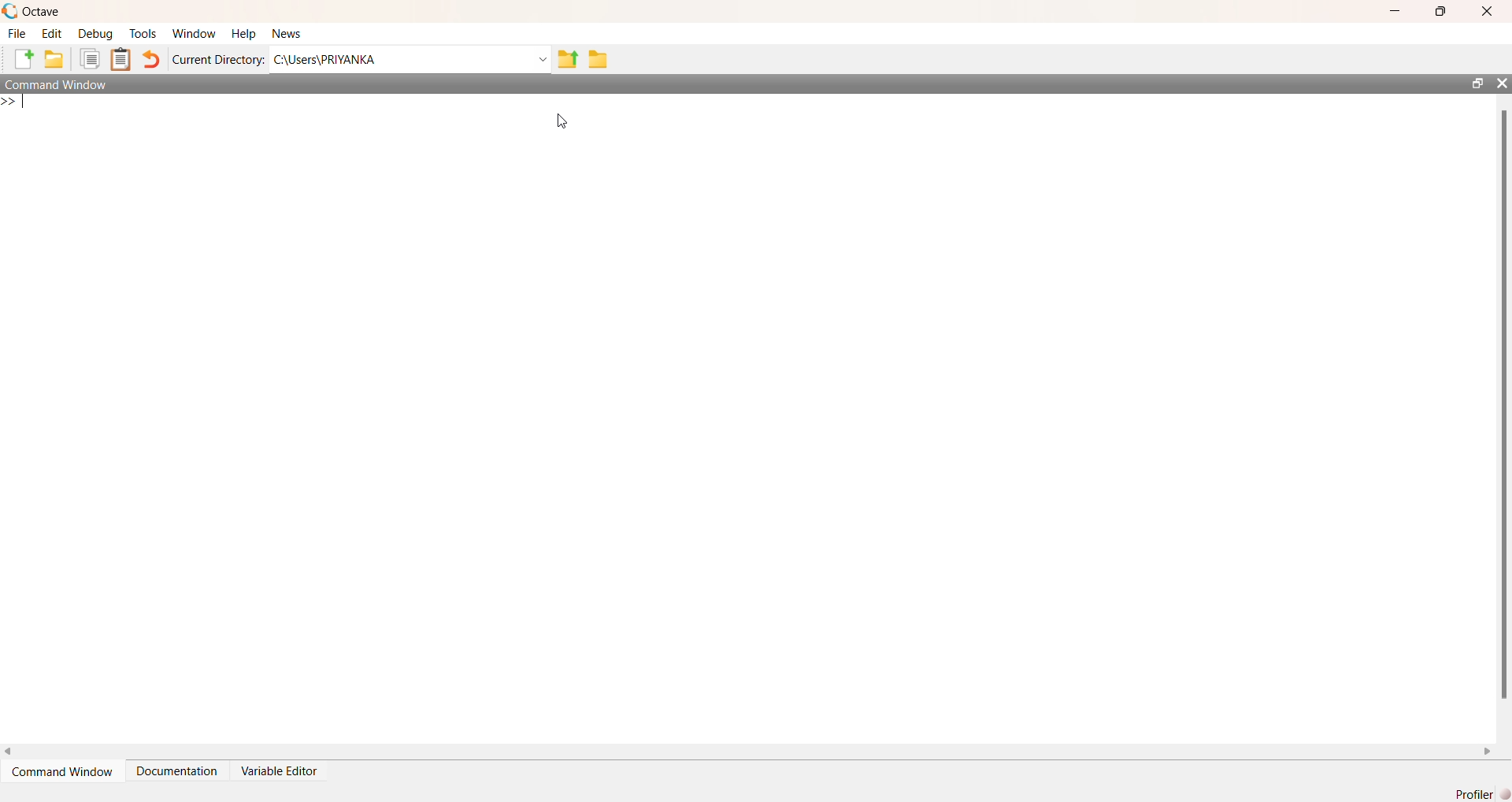  Describe the element at coordinates (9, 104) in the screenshot. I see `prompt cursor` at that location.